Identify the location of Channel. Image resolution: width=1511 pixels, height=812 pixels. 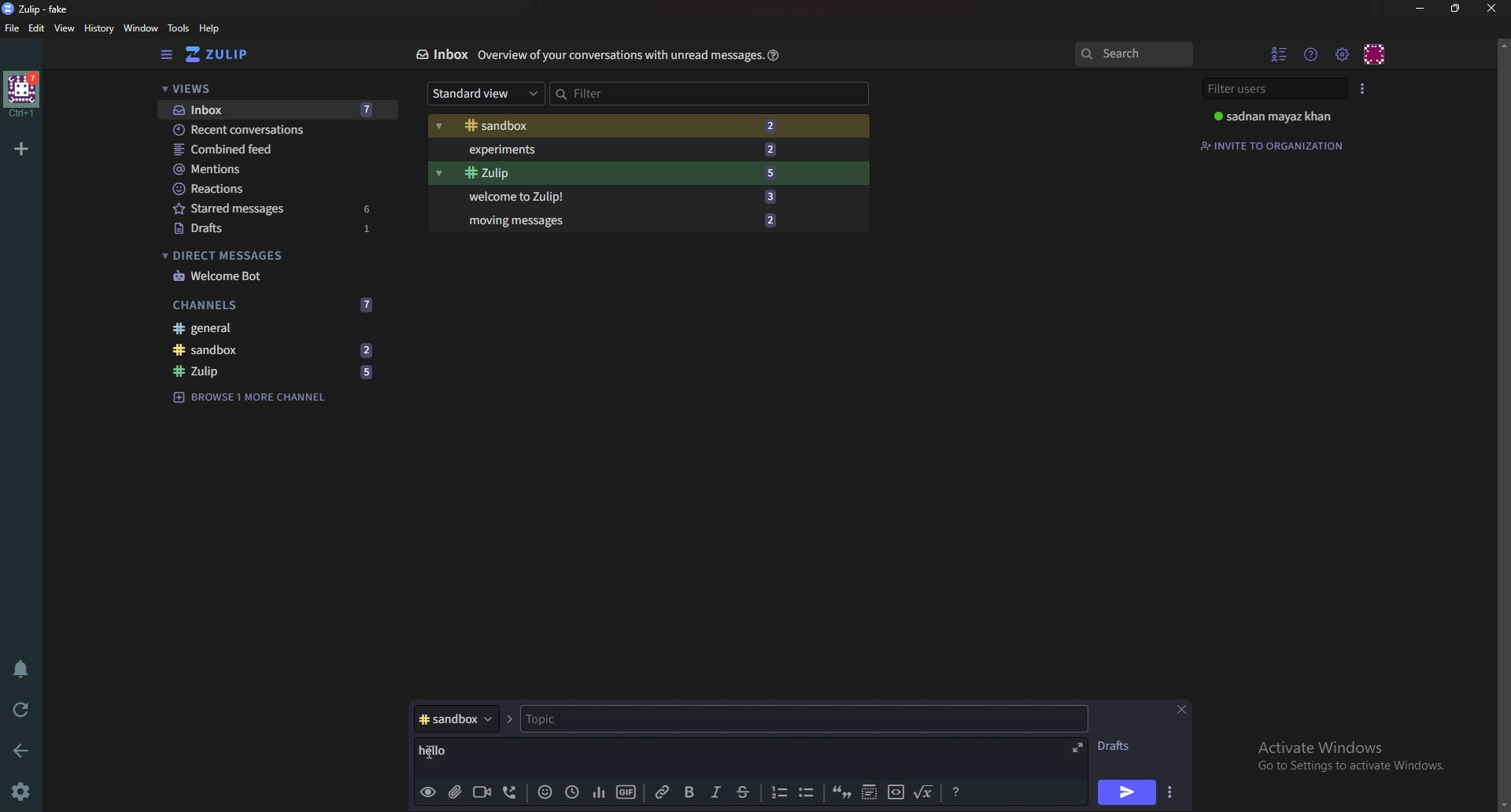
(456, 718).